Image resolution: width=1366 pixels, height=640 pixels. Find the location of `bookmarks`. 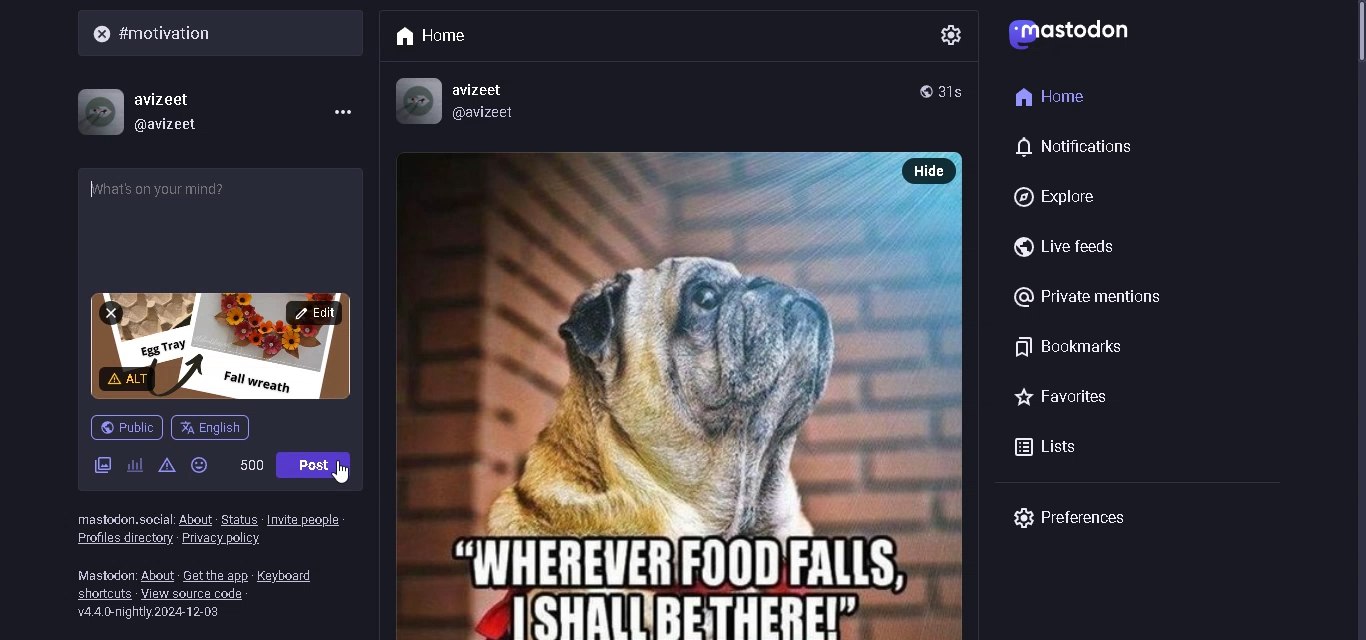

bookmarks is located at coordinates (1067, 344).